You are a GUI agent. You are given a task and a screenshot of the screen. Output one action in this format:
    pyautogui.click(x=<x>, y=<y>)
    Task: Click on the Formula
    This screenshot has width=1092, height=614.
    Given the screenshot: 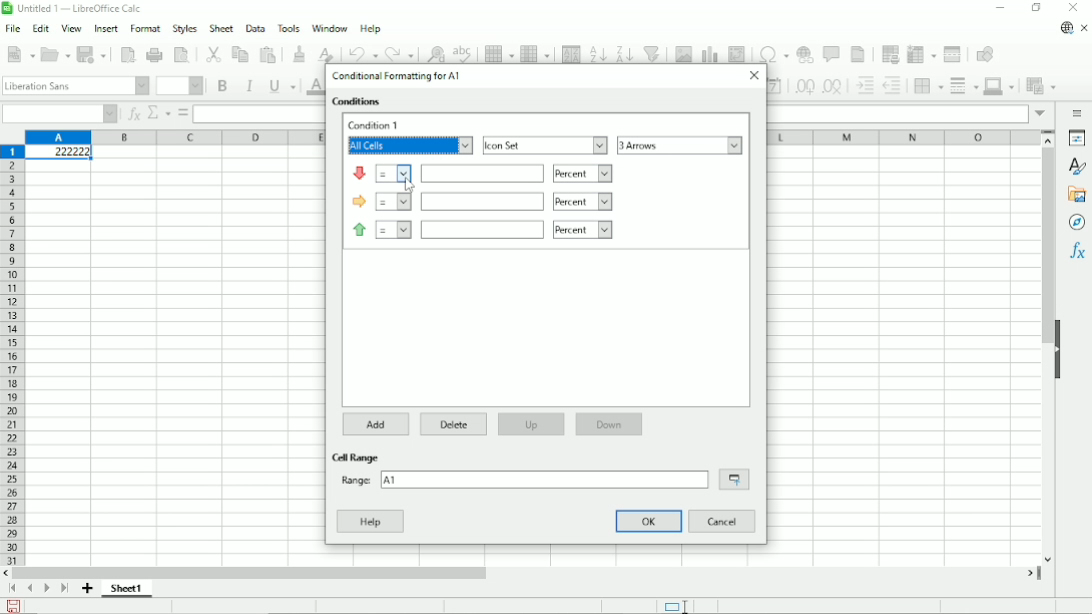 What is the action you would take?
    pyautogui.click(x=183, y=113)
    